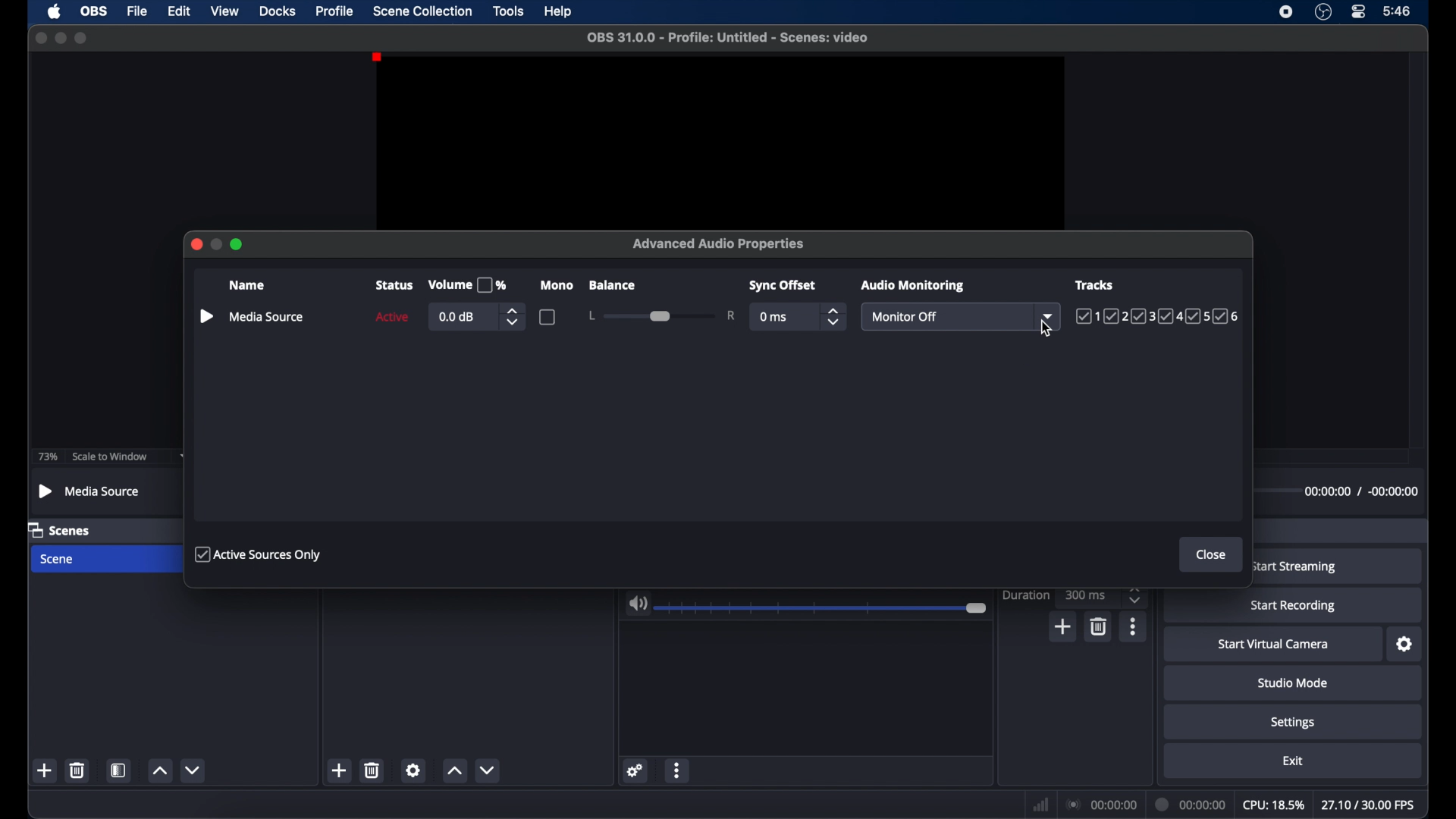 Image resolution: width=1456 pixels, height=819 pixels. Describe the element at coordinates (548, 316) in the screenshot. I see `checkbox` at that location.